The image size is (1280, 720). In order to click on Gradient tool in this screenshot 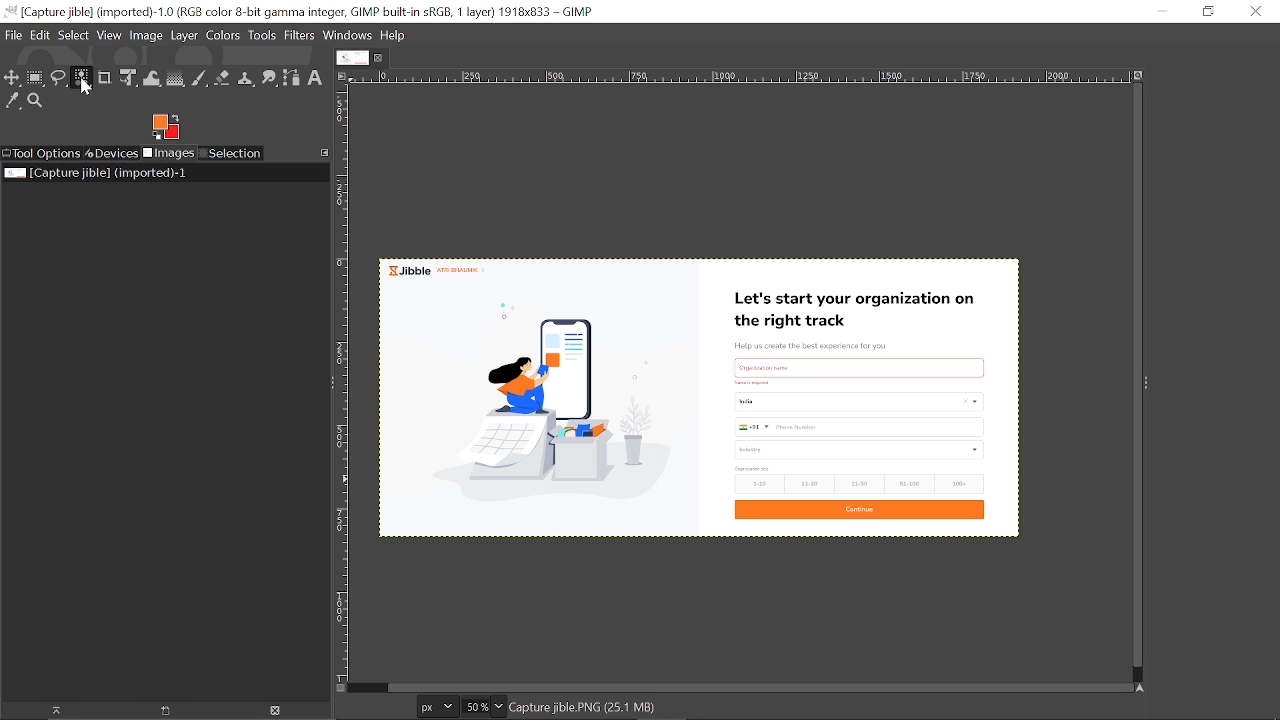, I will do `click(176, 79)`.